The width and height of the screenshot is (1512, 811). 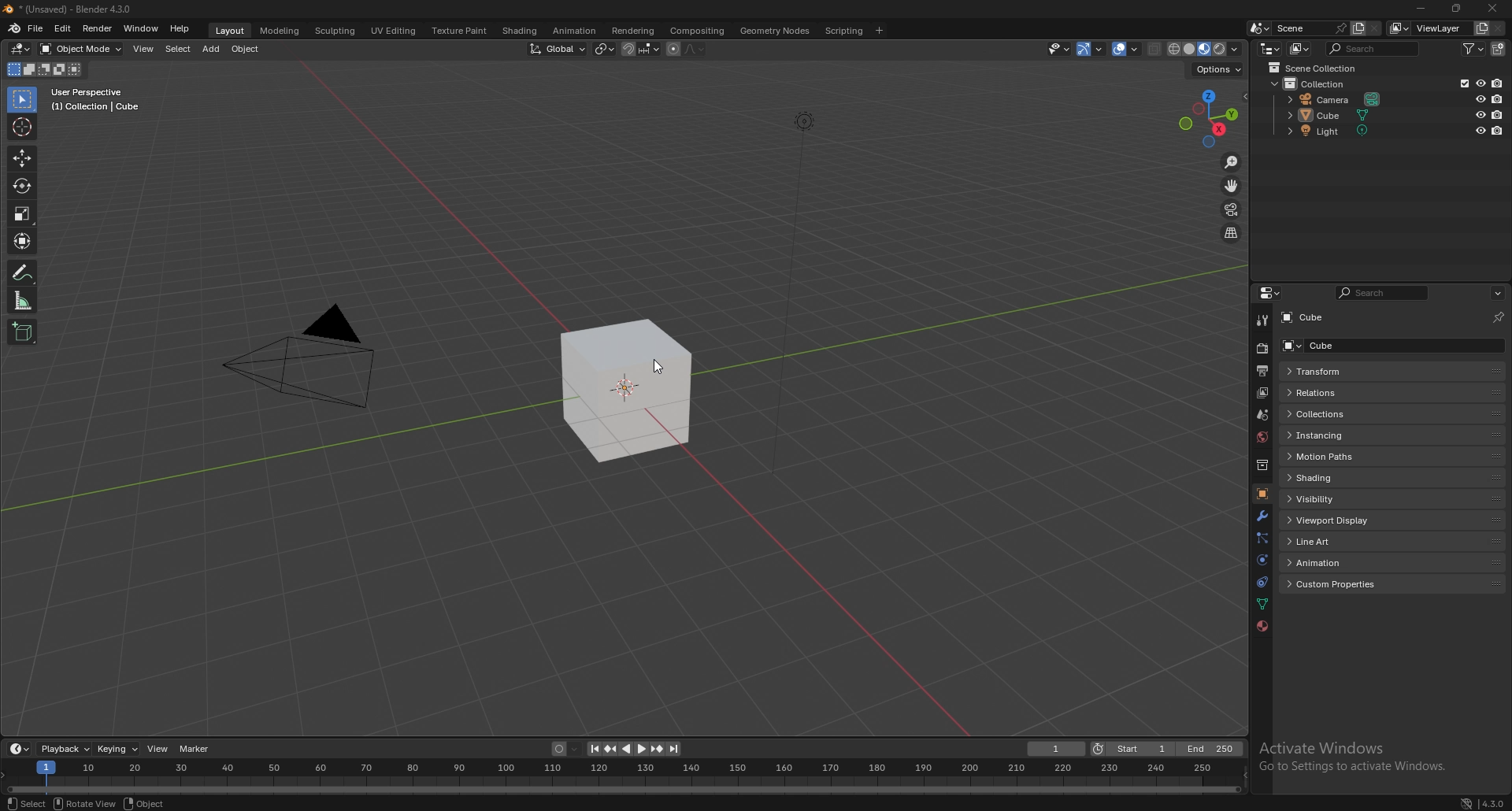 I want to click on hide in viewport, so click(x=1478, y=100).